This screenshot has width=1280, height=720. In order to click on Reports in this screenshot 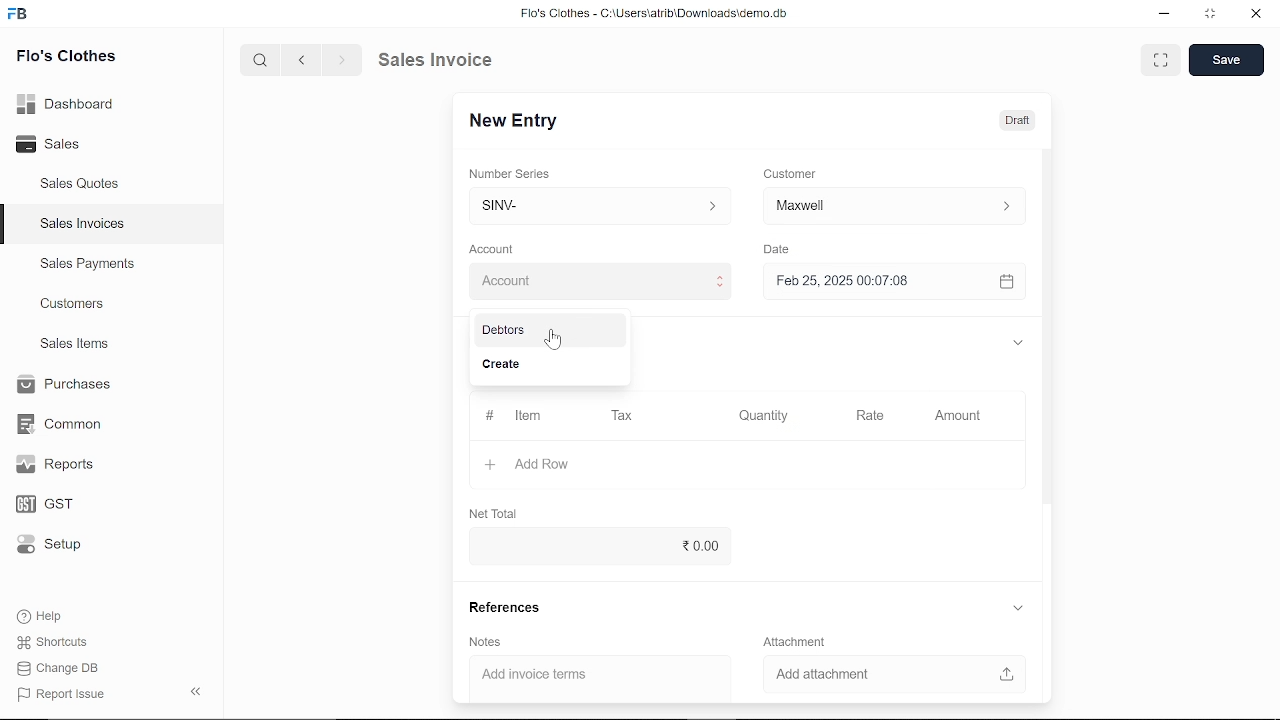, I will do `click(60, 465)`.